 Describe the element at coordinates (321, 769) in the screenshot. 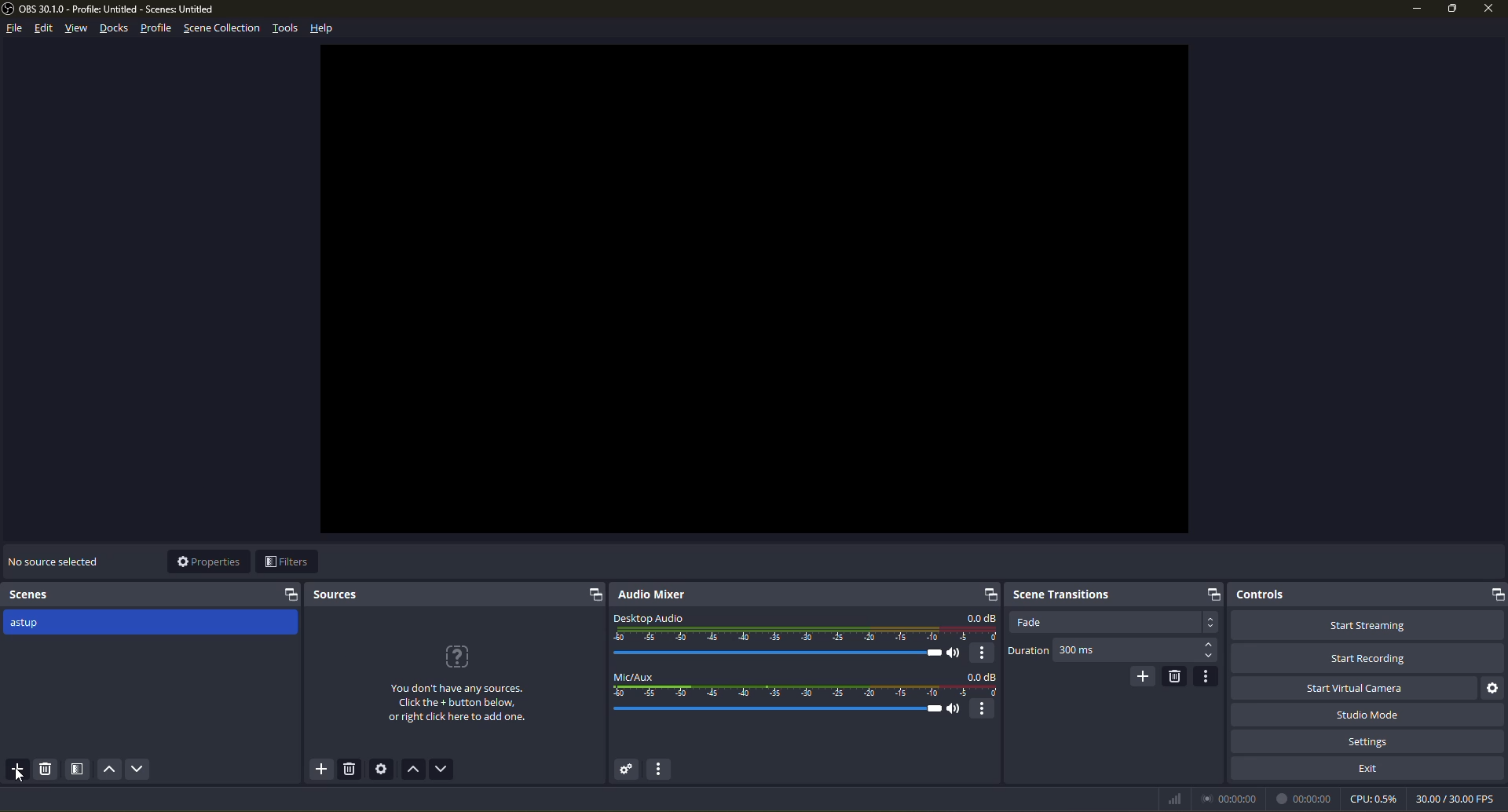

I see `add sources` at that location.